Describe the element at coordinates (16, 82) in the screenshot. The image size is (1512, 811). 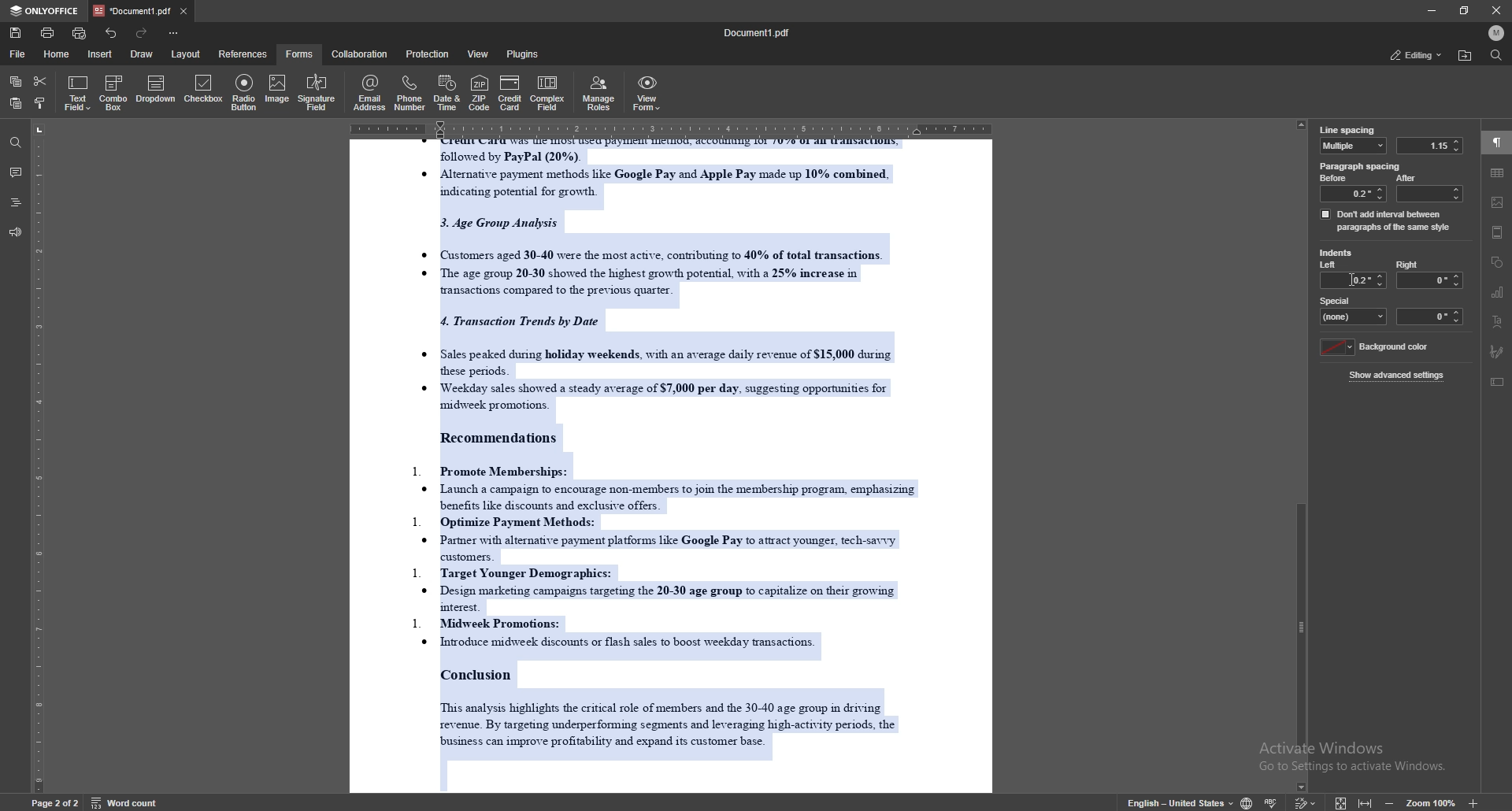
I see `copy` at that location.